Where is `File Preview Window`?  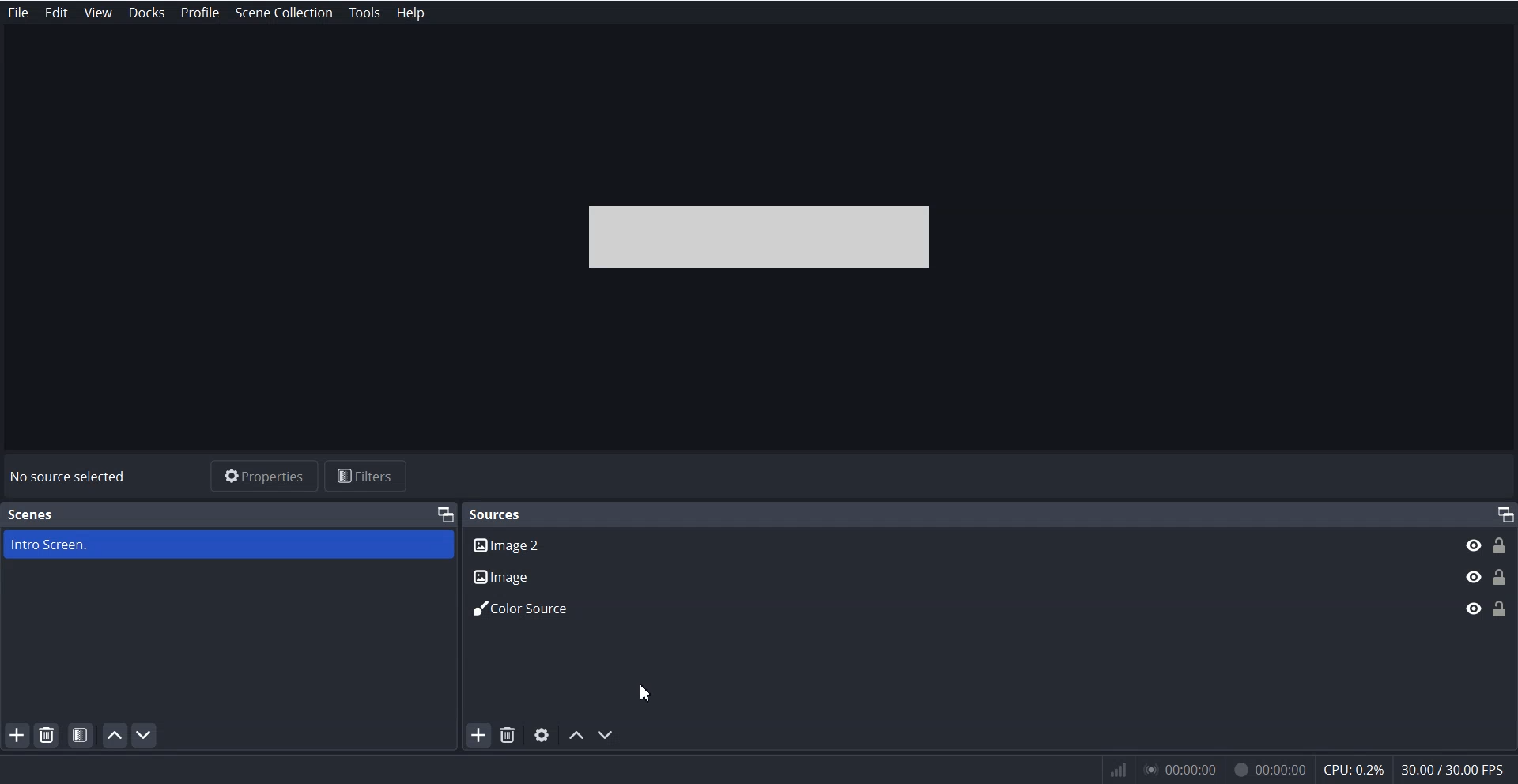 File Preview Window is located at coordinates (761, 237).